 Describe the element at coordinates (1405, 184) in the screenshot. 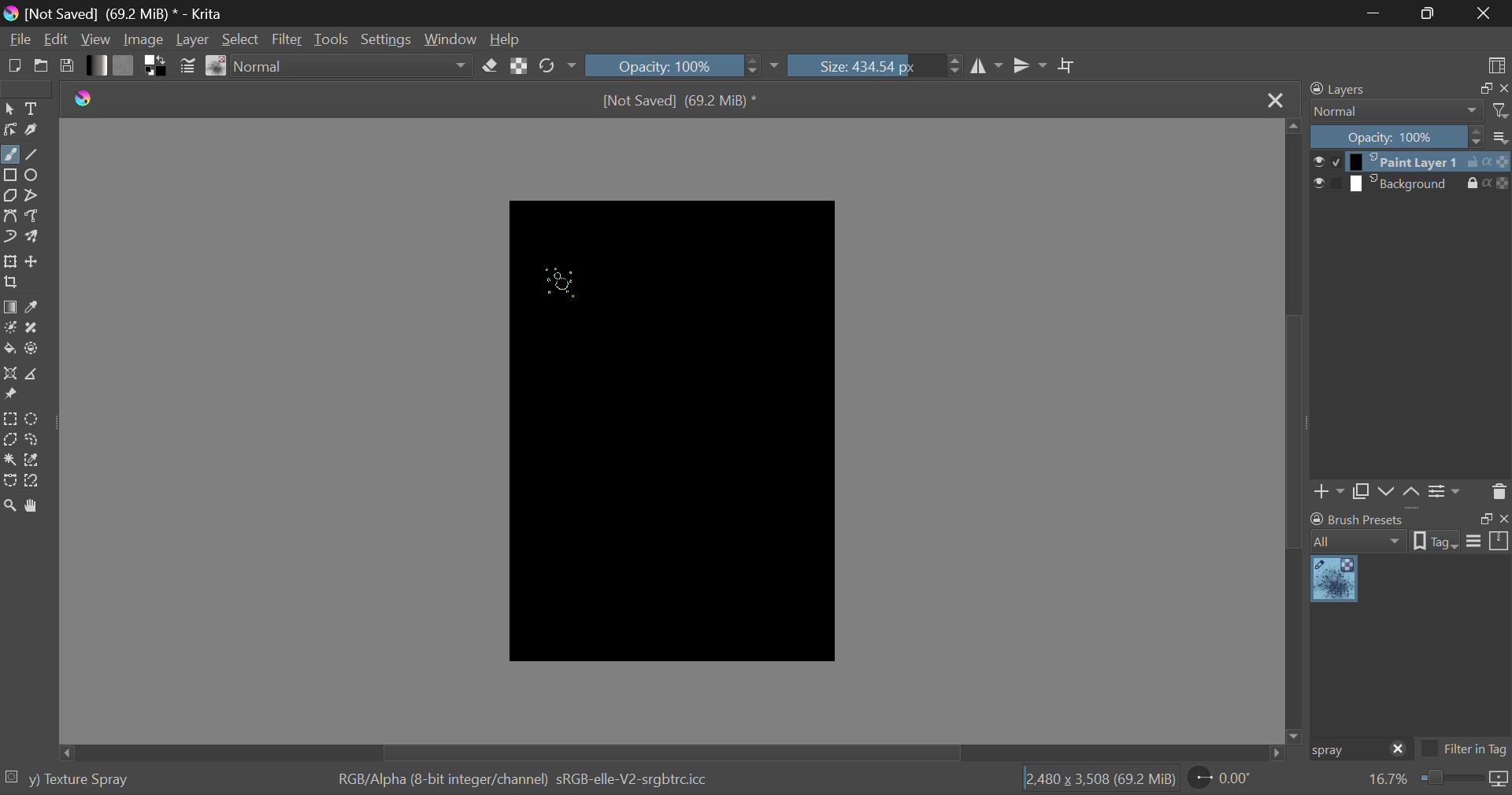

I see `layer 2` at that location.